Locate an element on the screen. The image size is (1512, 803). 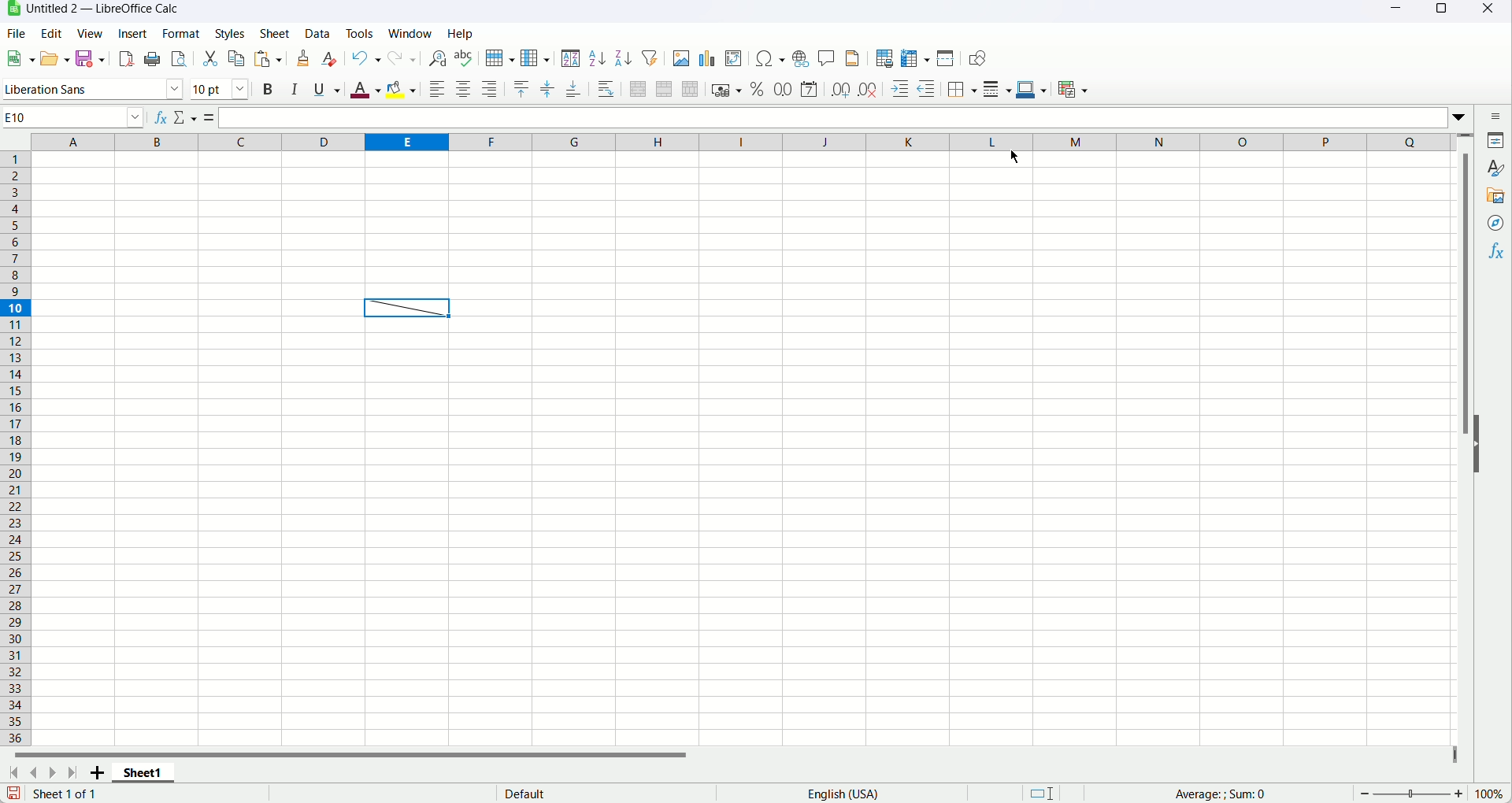
Insert is located at coordinates (134, 32).